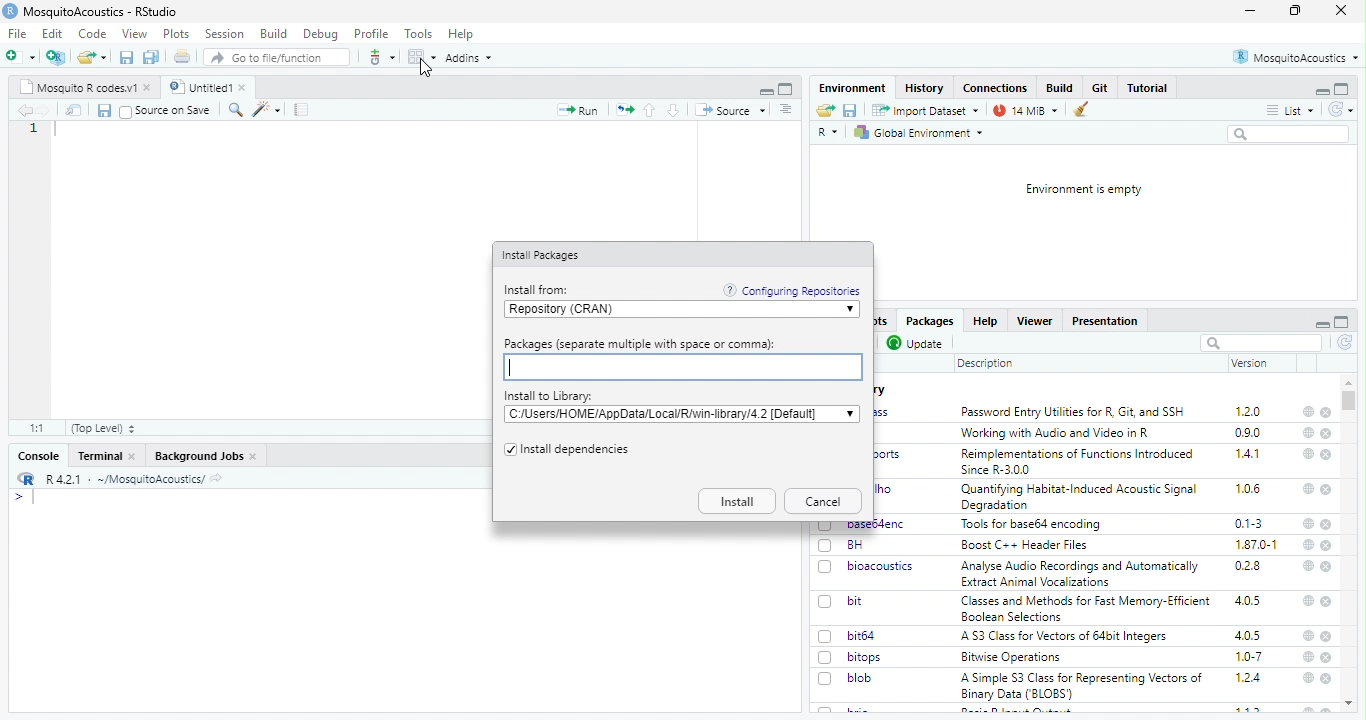 The height and width of the screenshot is (720, 1366). Describe the element at coordinates (27, 478) in the screenshot. I see `logo` at that location.